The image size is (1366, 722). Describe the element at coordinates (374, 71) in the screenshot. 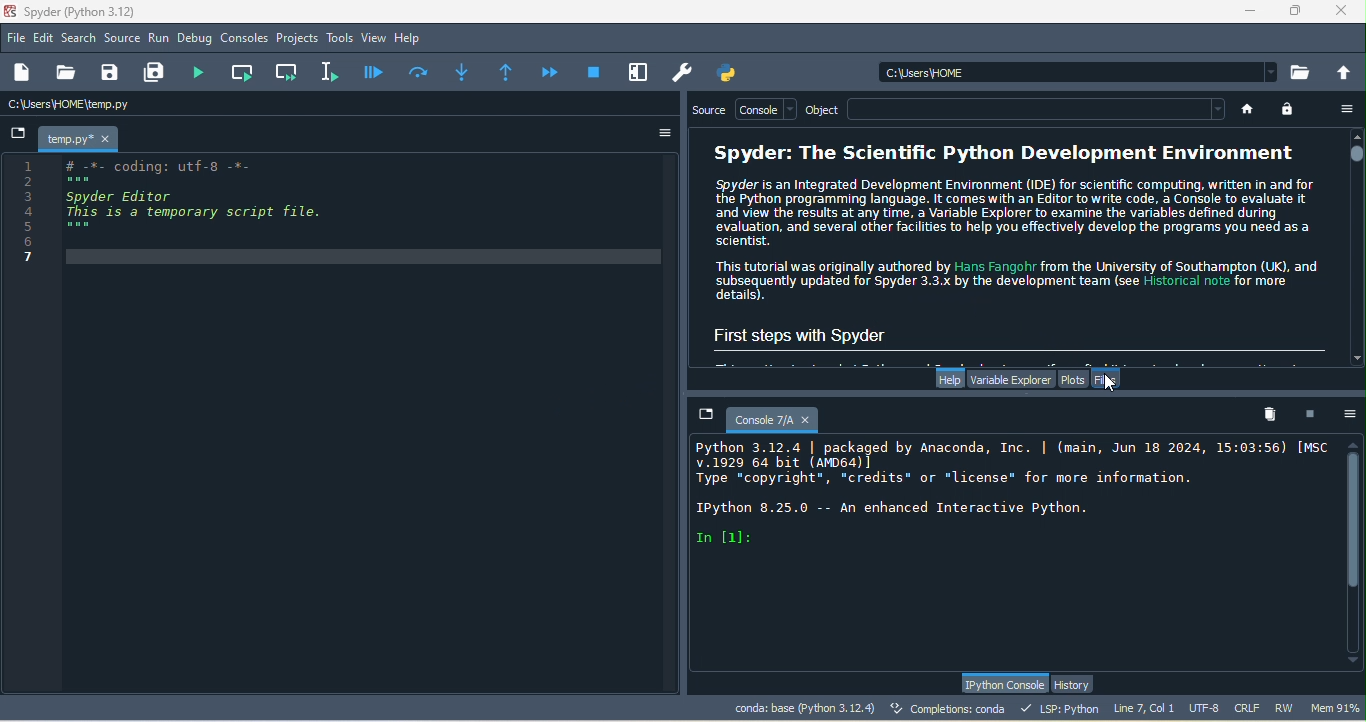

I see `debug file` at that location.